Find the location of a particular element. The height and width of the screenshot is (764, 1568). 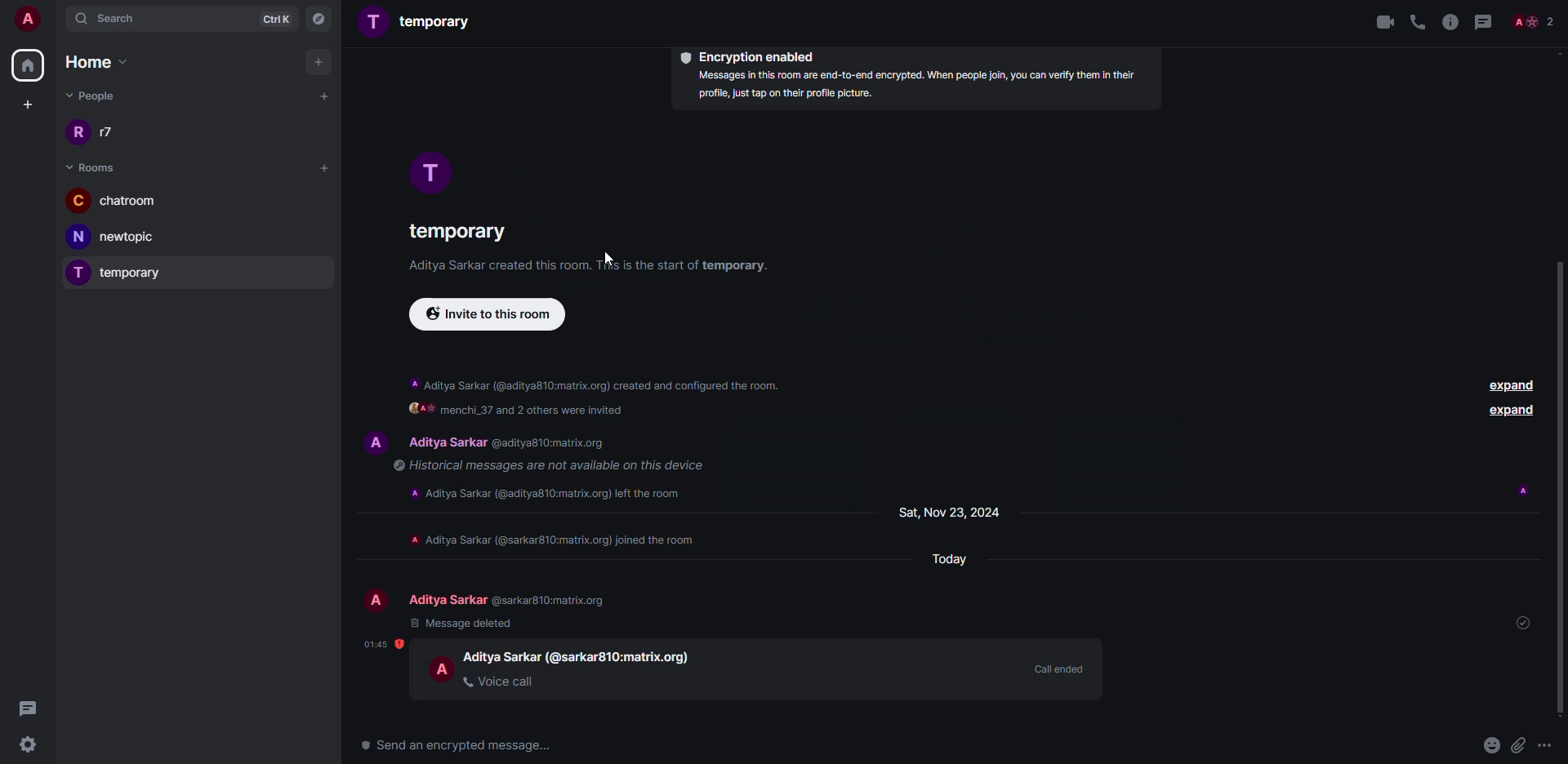

info is located at coordinates (550, 541).